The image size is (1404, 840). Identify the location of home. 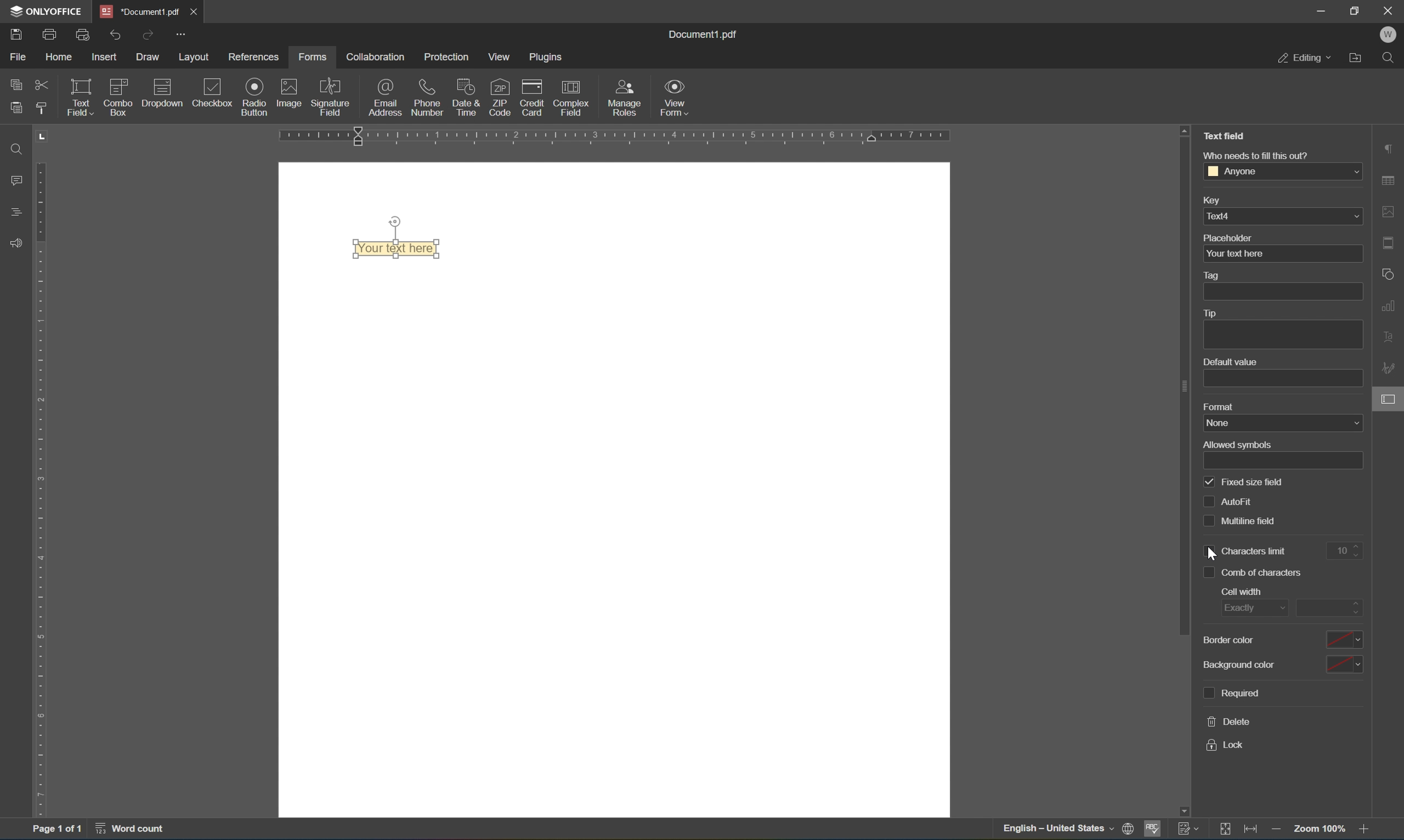
(60, 56).